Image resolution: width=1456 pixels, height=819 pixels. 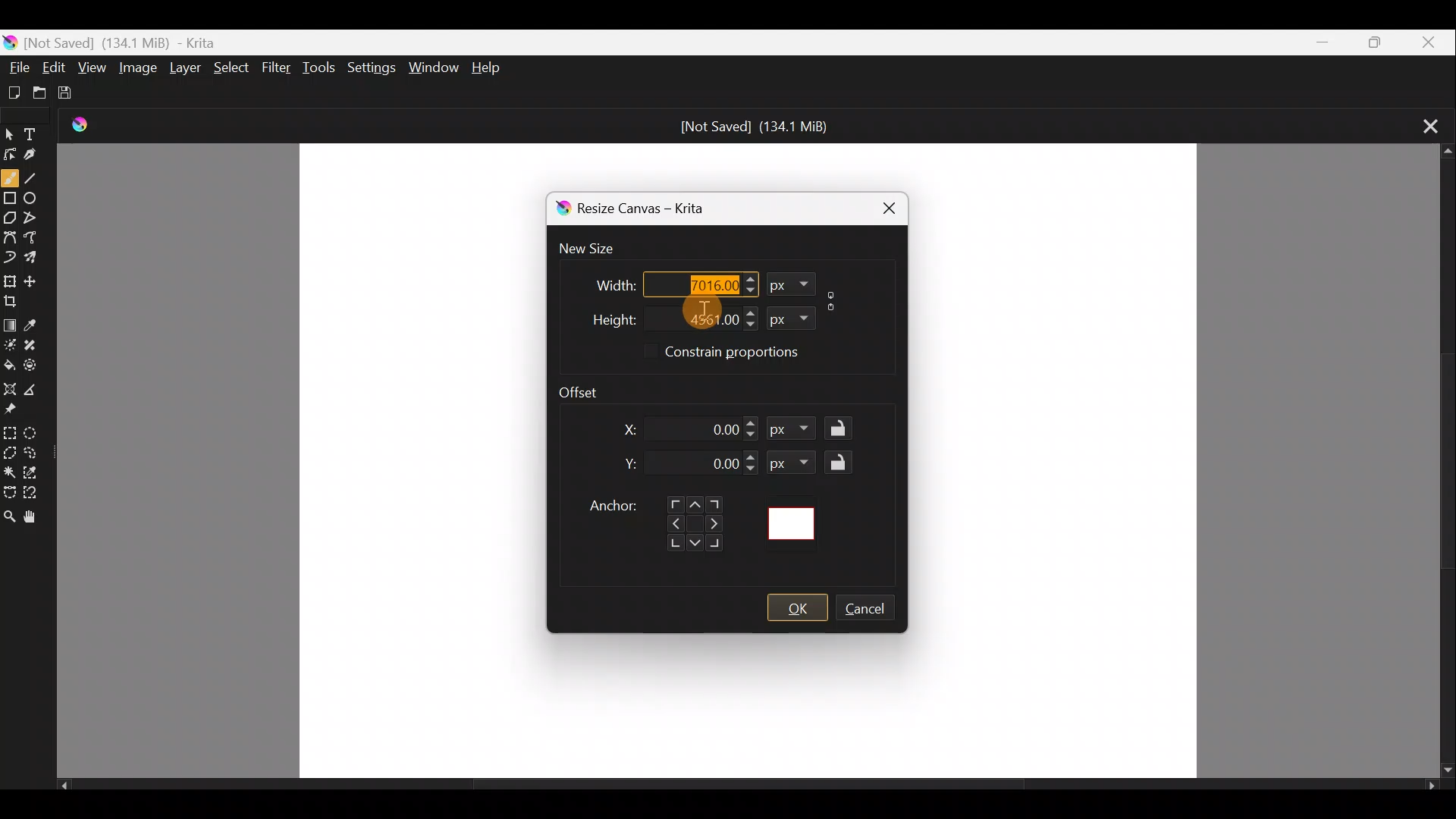 What do you see at coordinates (790, 284) in the screenshot?
I see `Format` at bounding box center [790, 284].